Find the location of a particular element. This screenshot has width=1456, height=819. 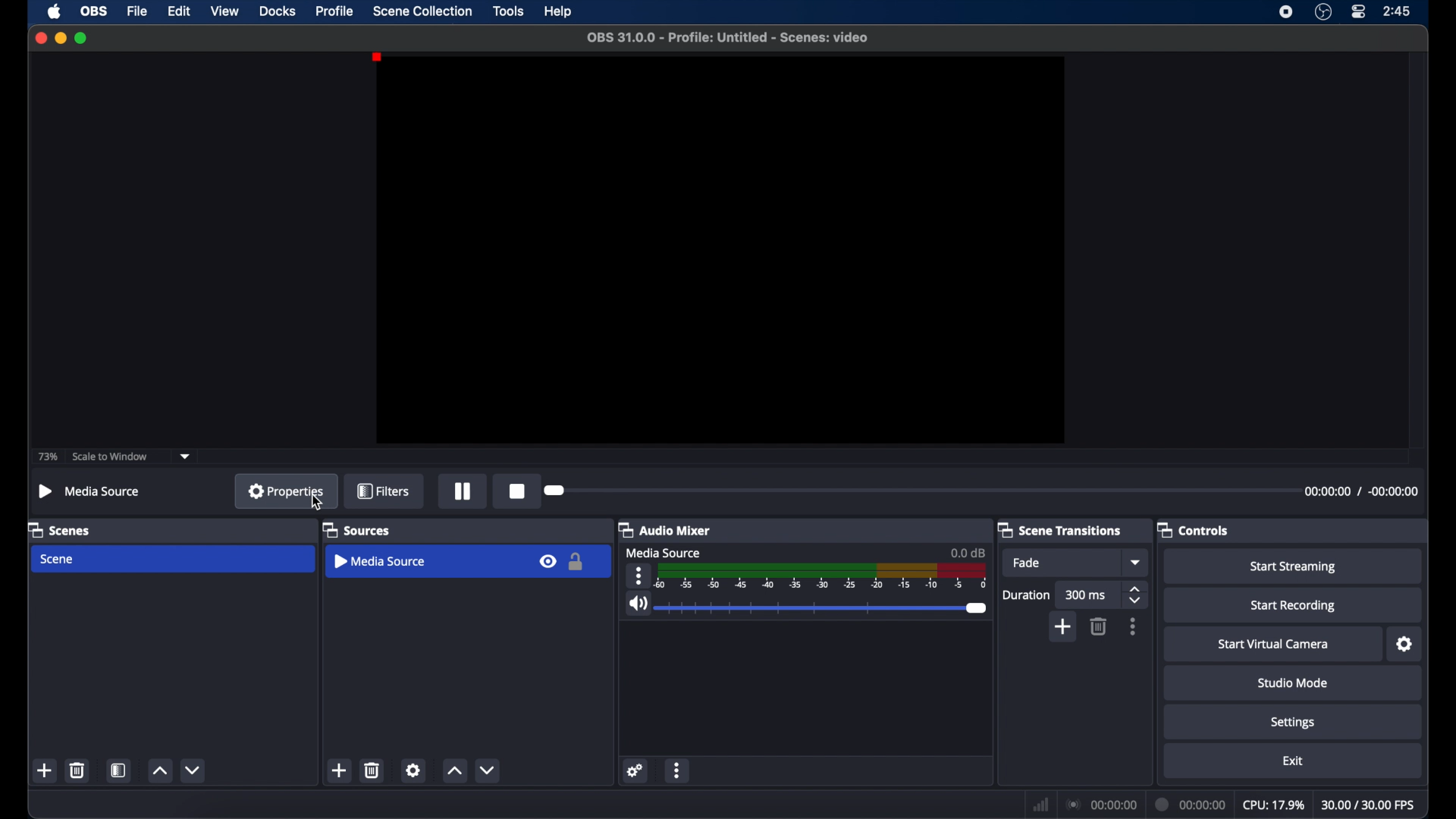

exit is located at coordinates (1293, 761).